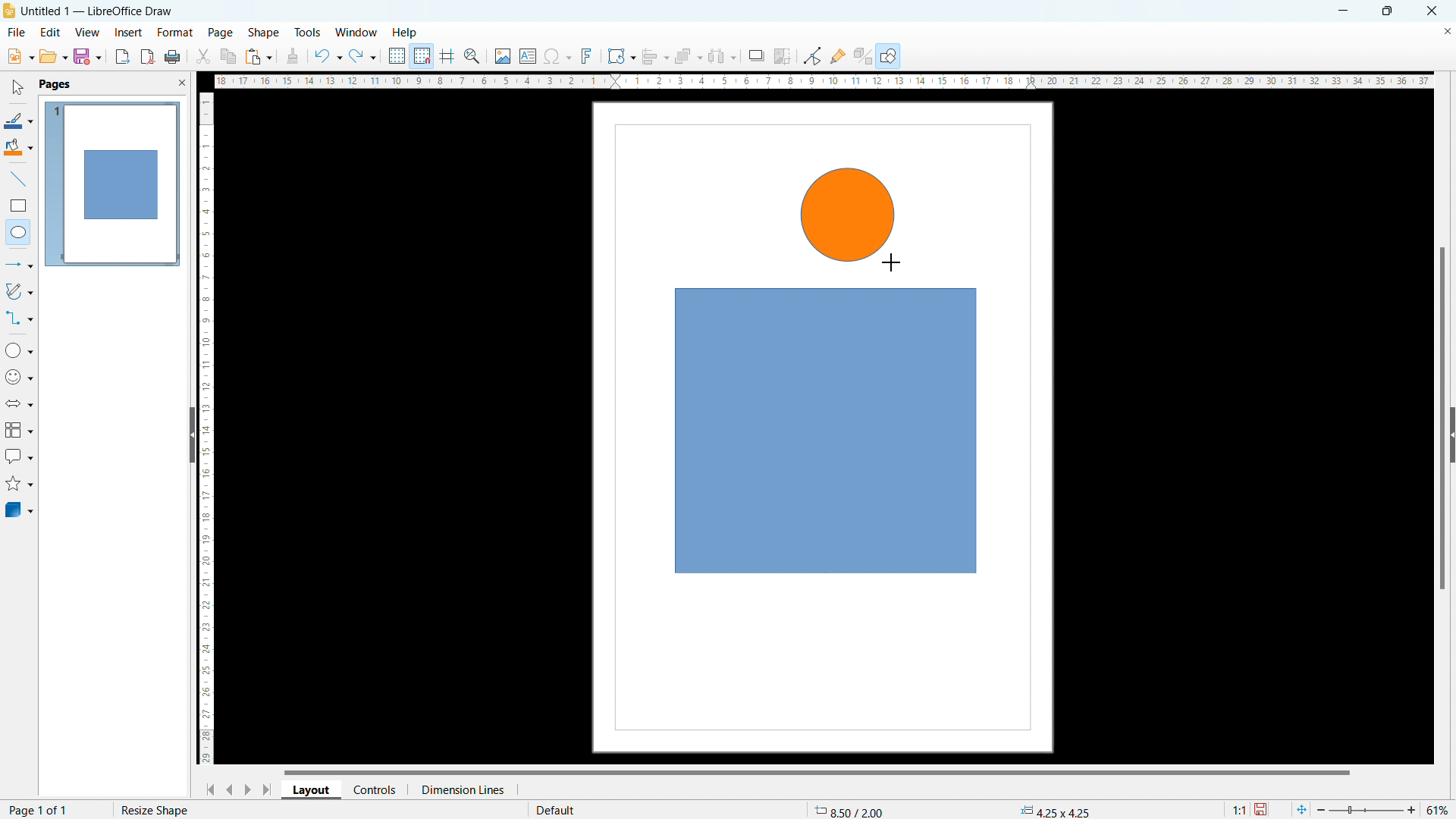 This screenshot has width=1456, height=819. What do you see at coordinates (9, 11) in the screenshot?
I see `logo` at bounding box center [9, 11].